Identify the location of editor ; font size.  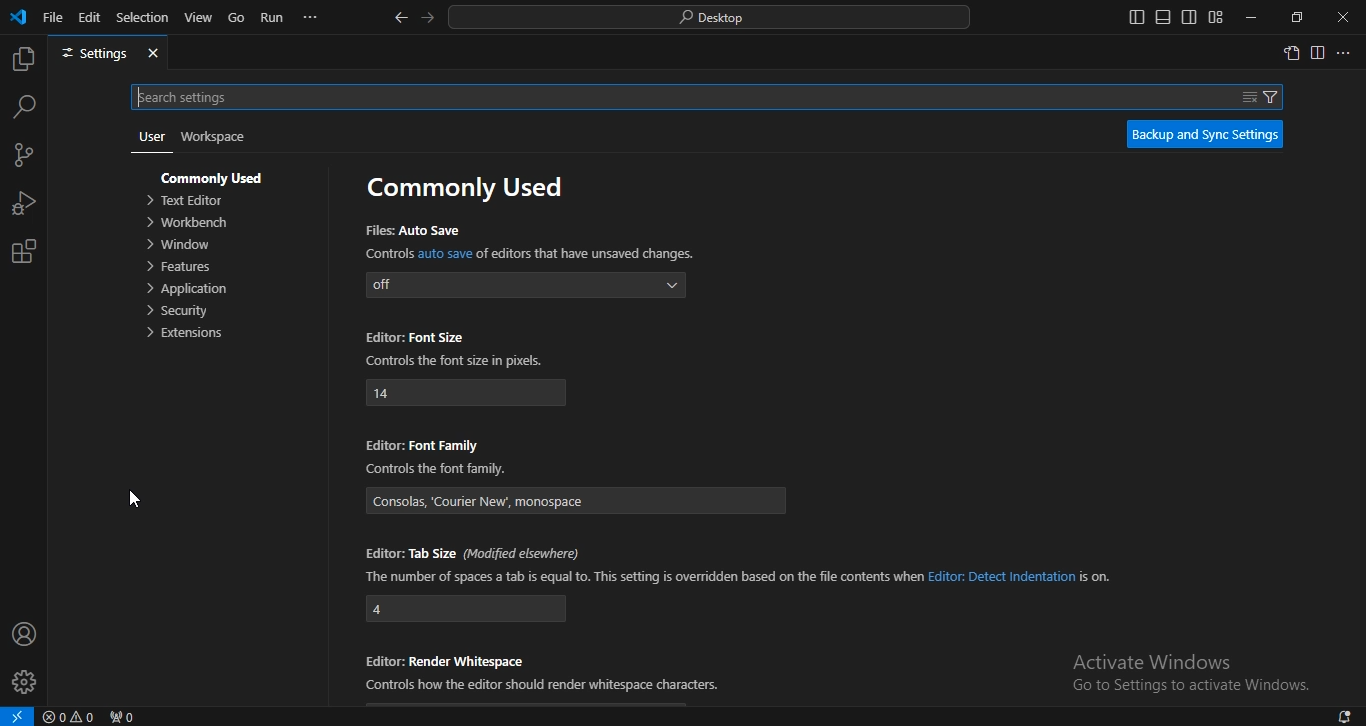
(468, 393).